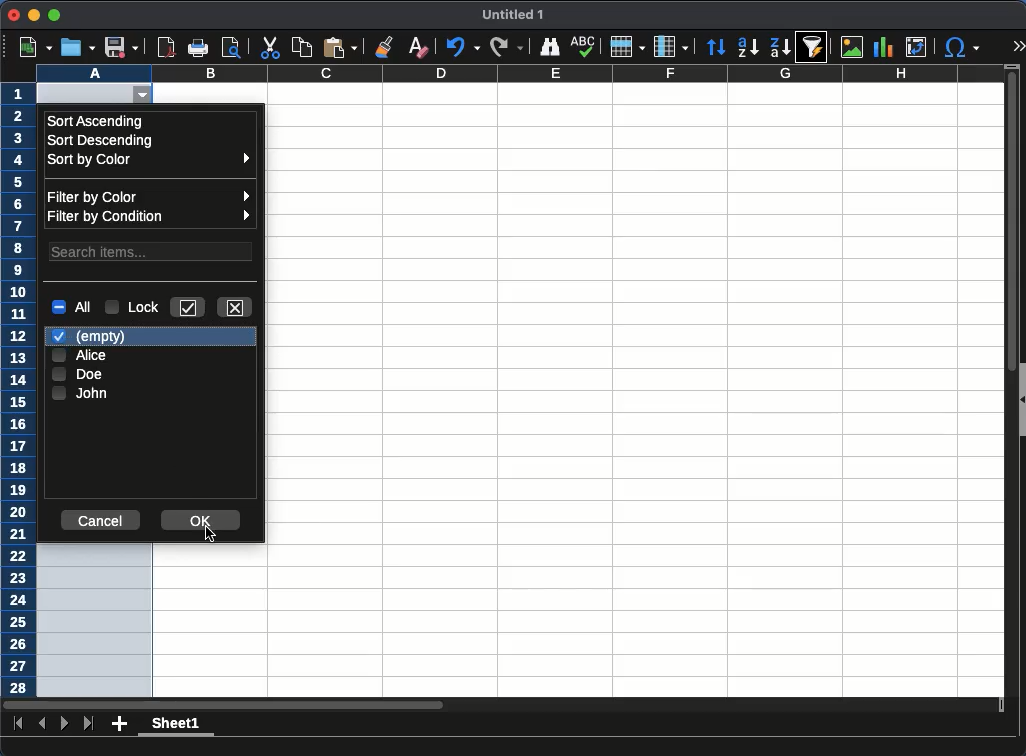 Image resolution: width=1026 pixels, height=756 pixels. Describe the element at coordinates (92, 335) in the screenshot. I see `empty` at that location.